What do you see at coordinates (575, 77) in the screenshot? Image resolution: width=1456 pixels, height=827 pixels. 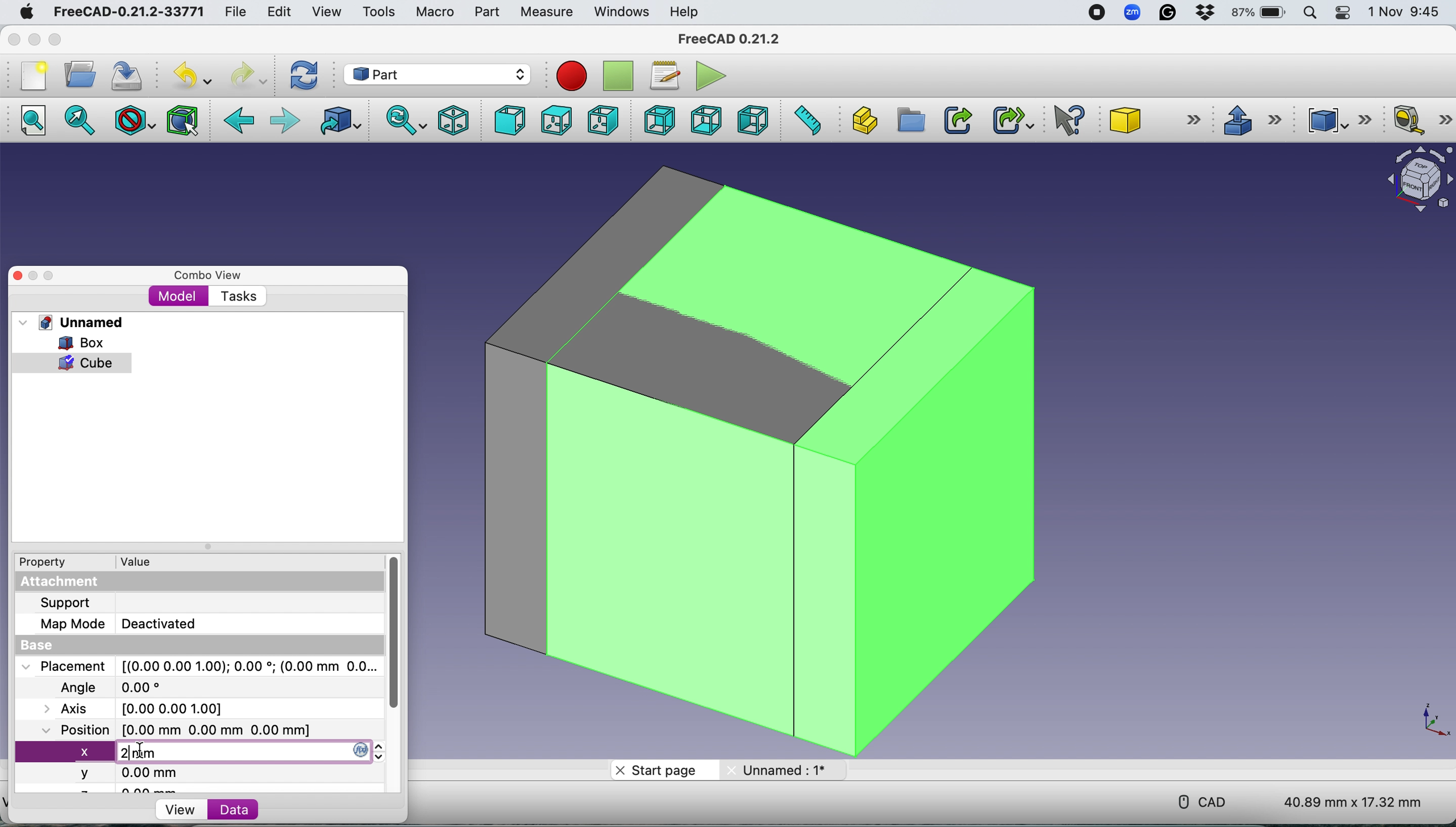 I see `Record macros` at bounding box center [575, 77].